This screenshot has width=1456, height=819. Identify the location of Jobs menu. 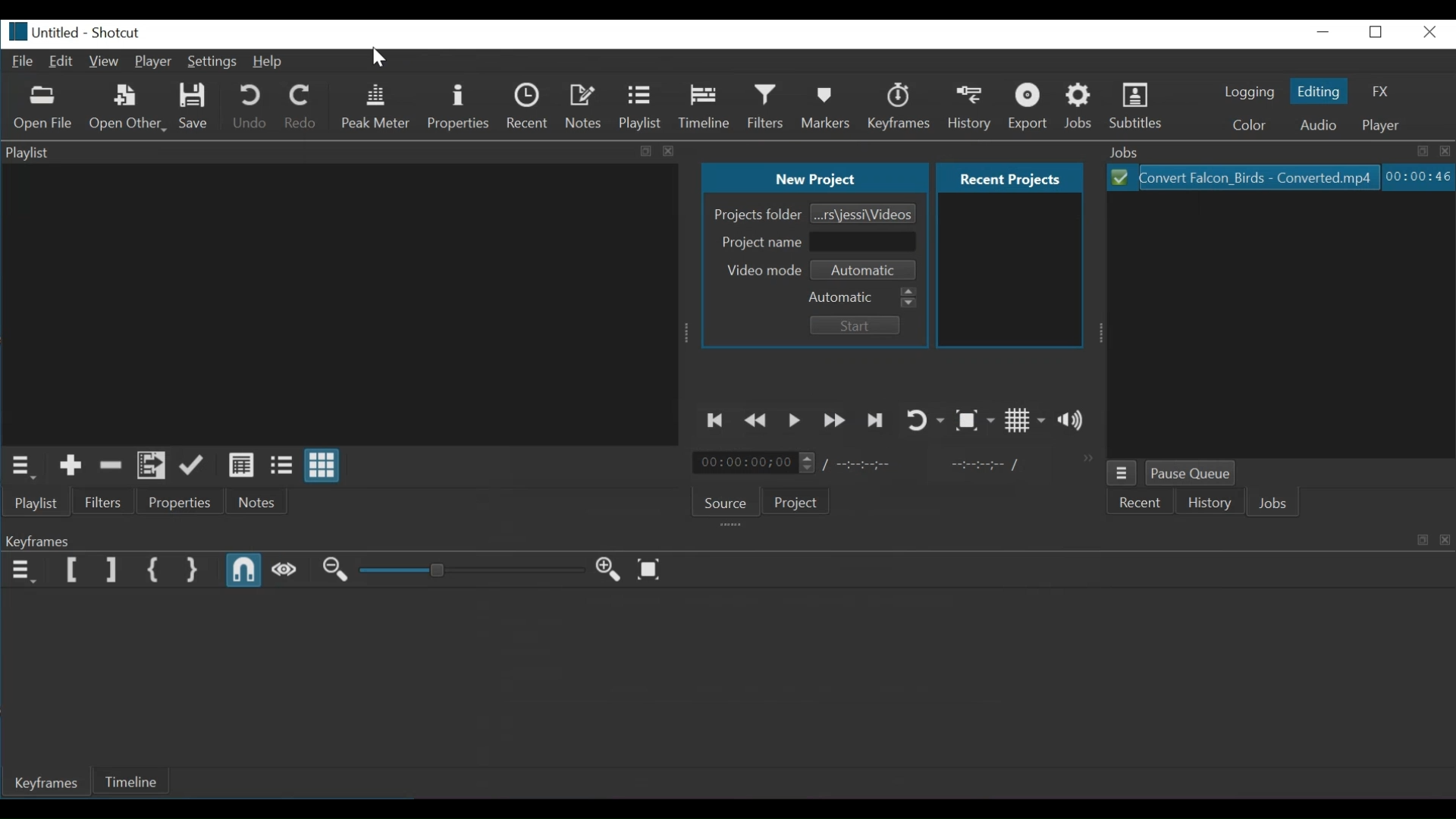
(1122, 472).